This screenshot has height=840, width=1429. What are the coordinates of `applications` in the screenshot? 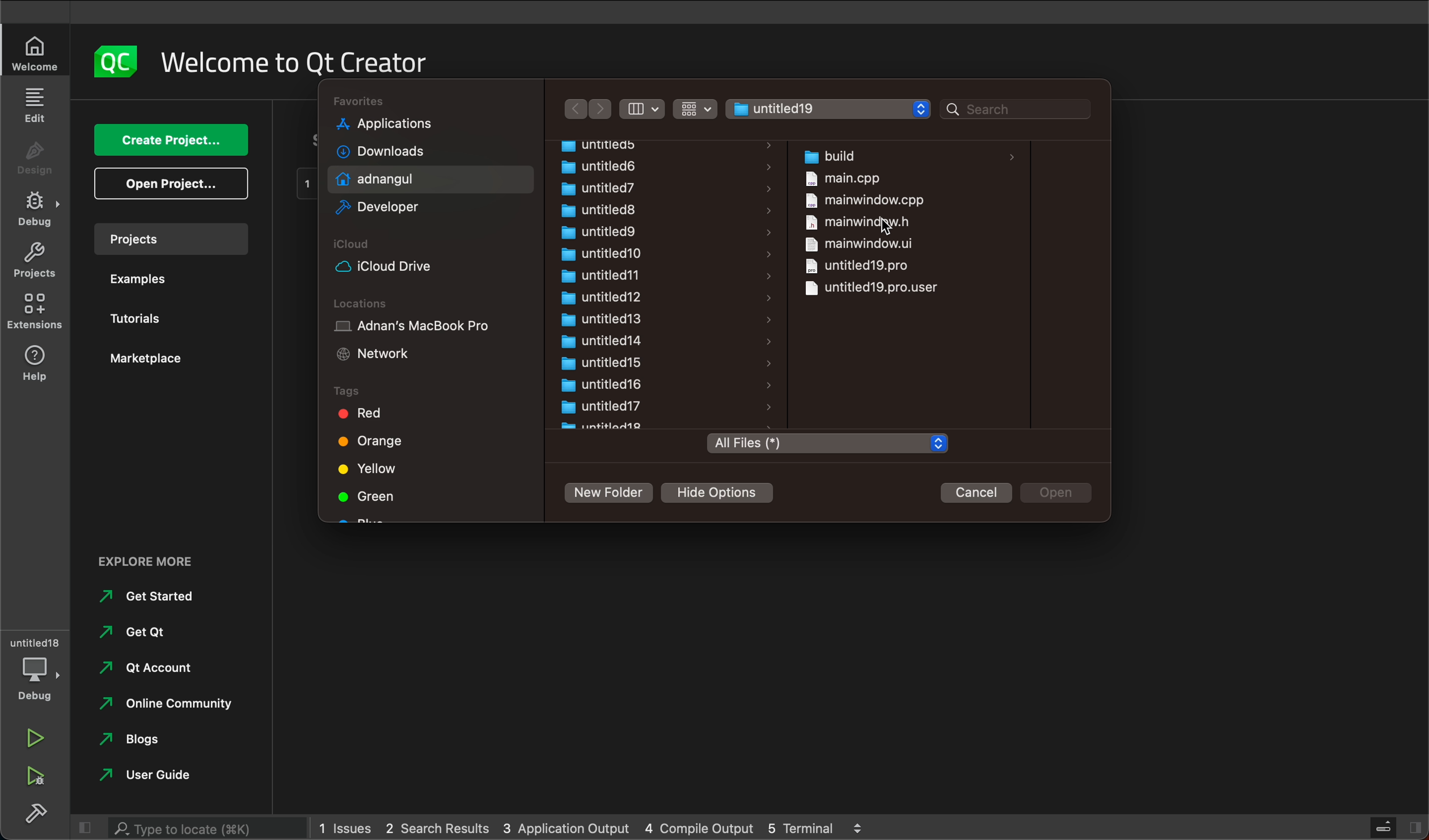 It's located at (405, 127).